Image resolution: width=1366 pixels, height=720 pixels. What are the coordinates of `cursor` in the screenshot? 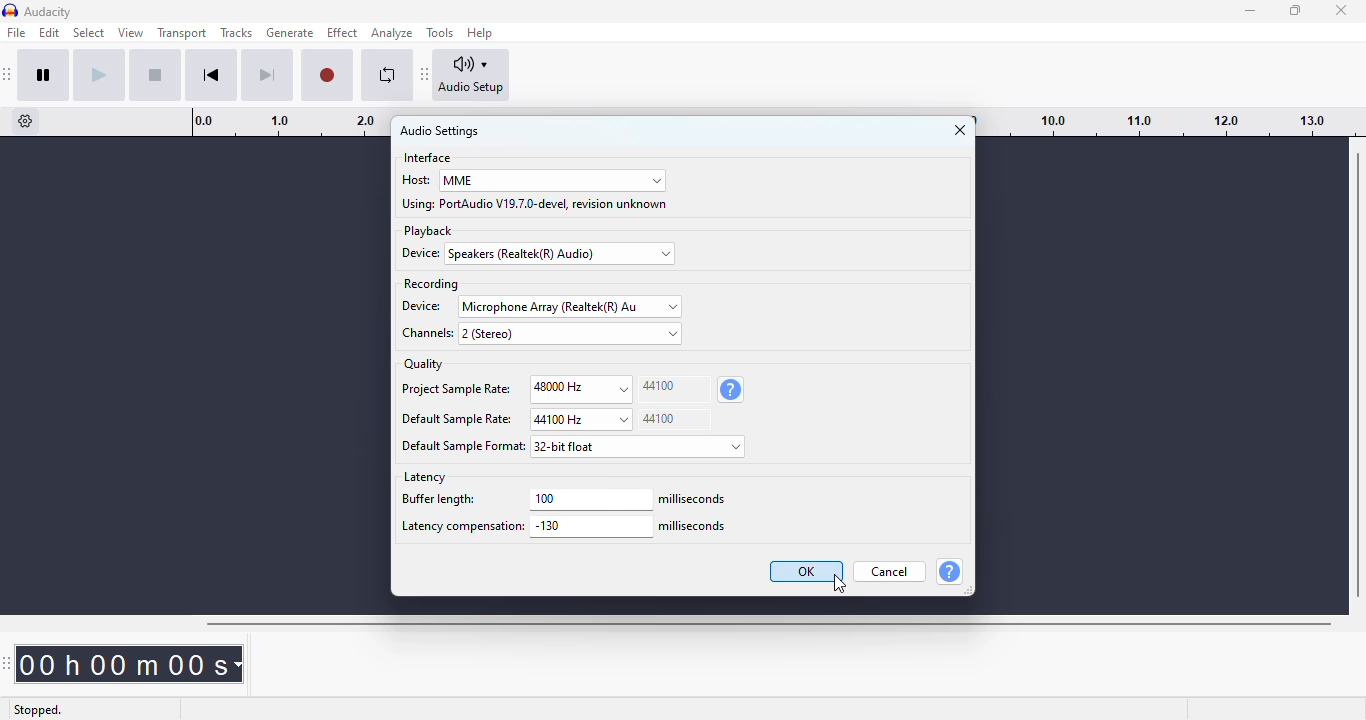 It's located at (839, 584).